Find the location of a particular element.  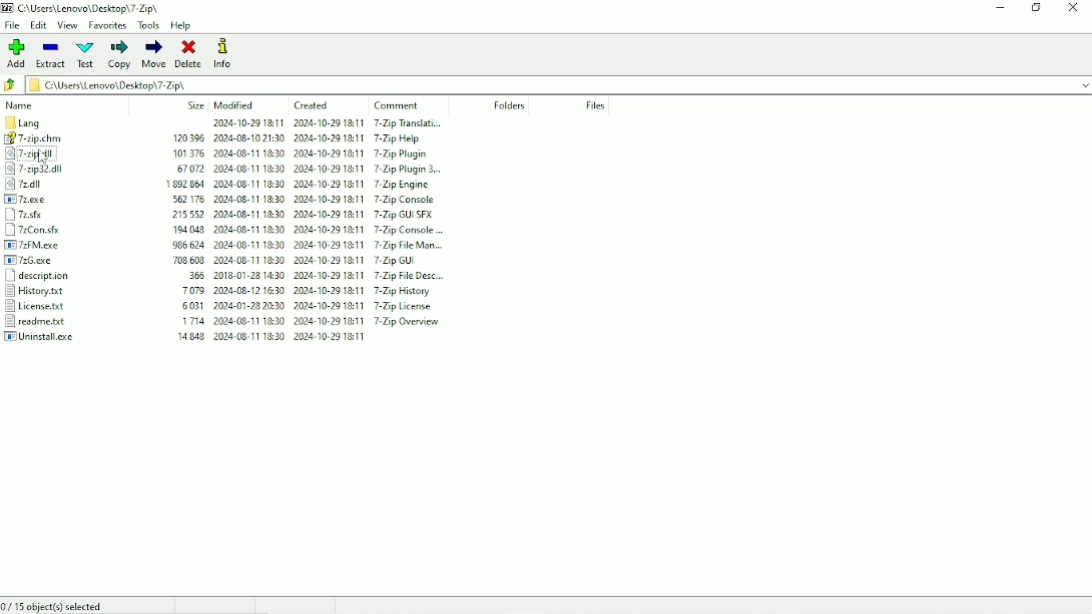

Close is located at coordinates (1075, 7).